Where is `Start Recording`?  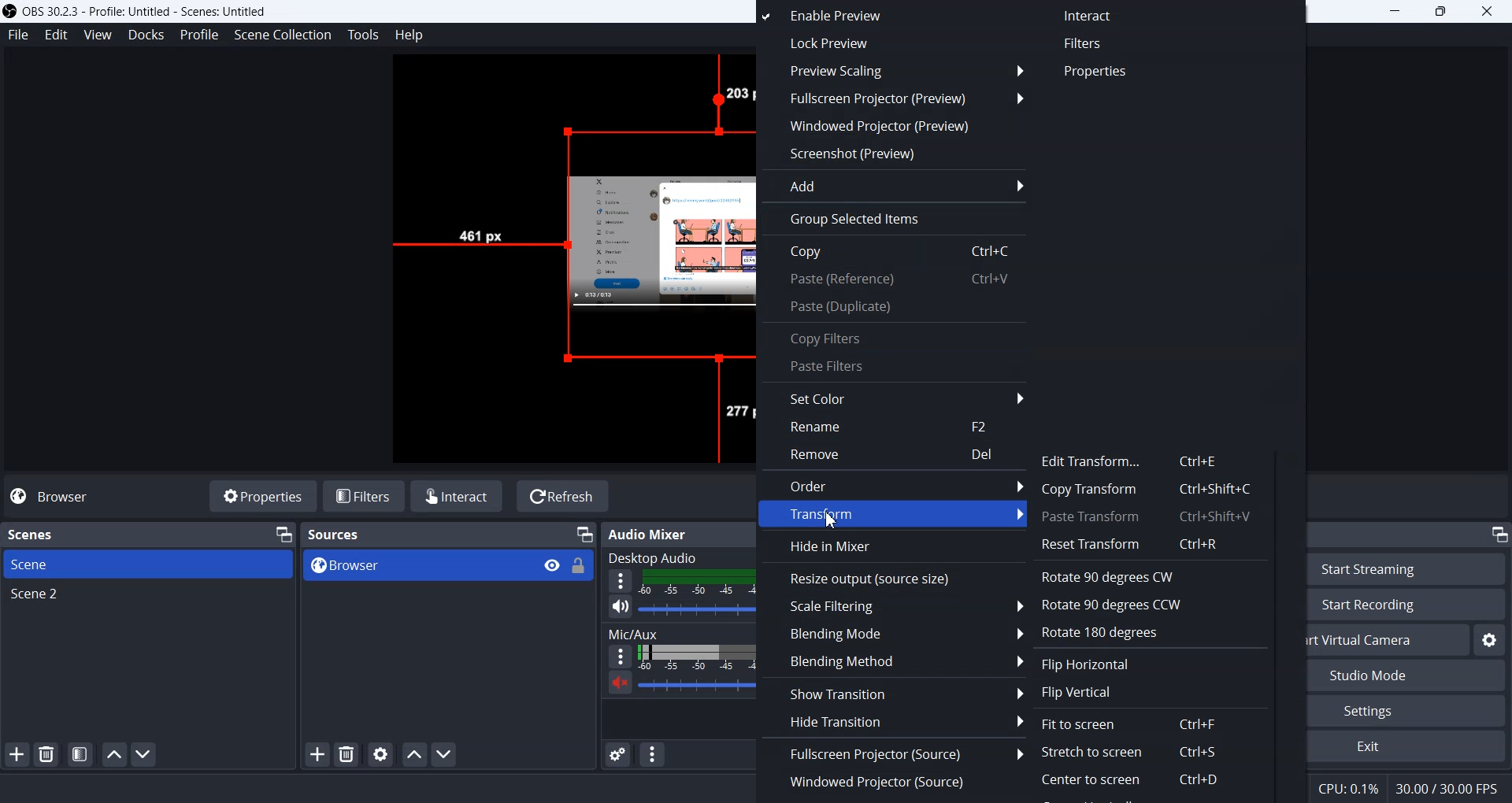 Start Recording is located at coordinates (1399, 605).